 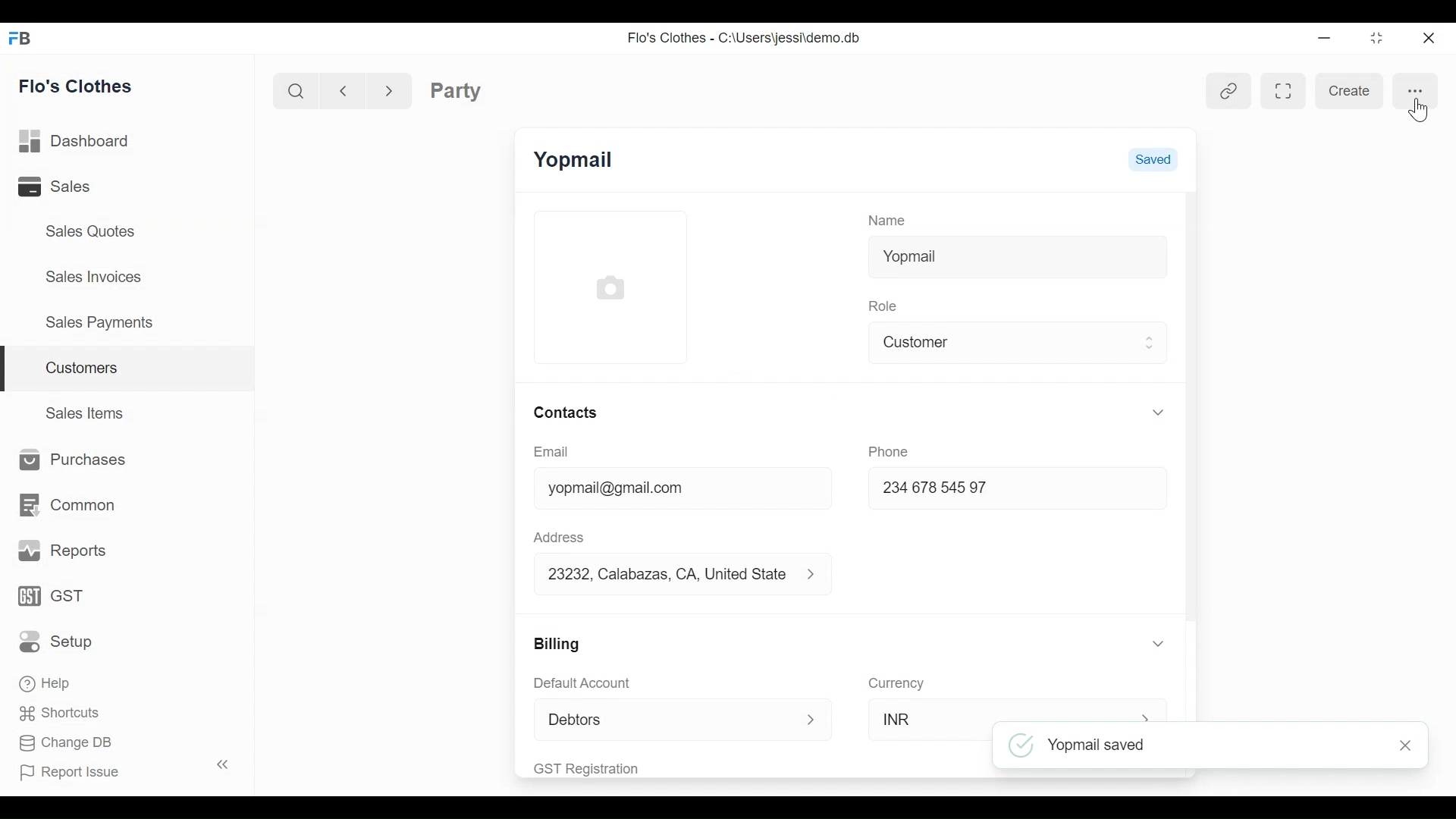 What do you see at coordinates (746, 39) in the screenshot?
I see `Flo's Clothes - C:\Users\jessi\demo.db` at bounding box center [746, 39].